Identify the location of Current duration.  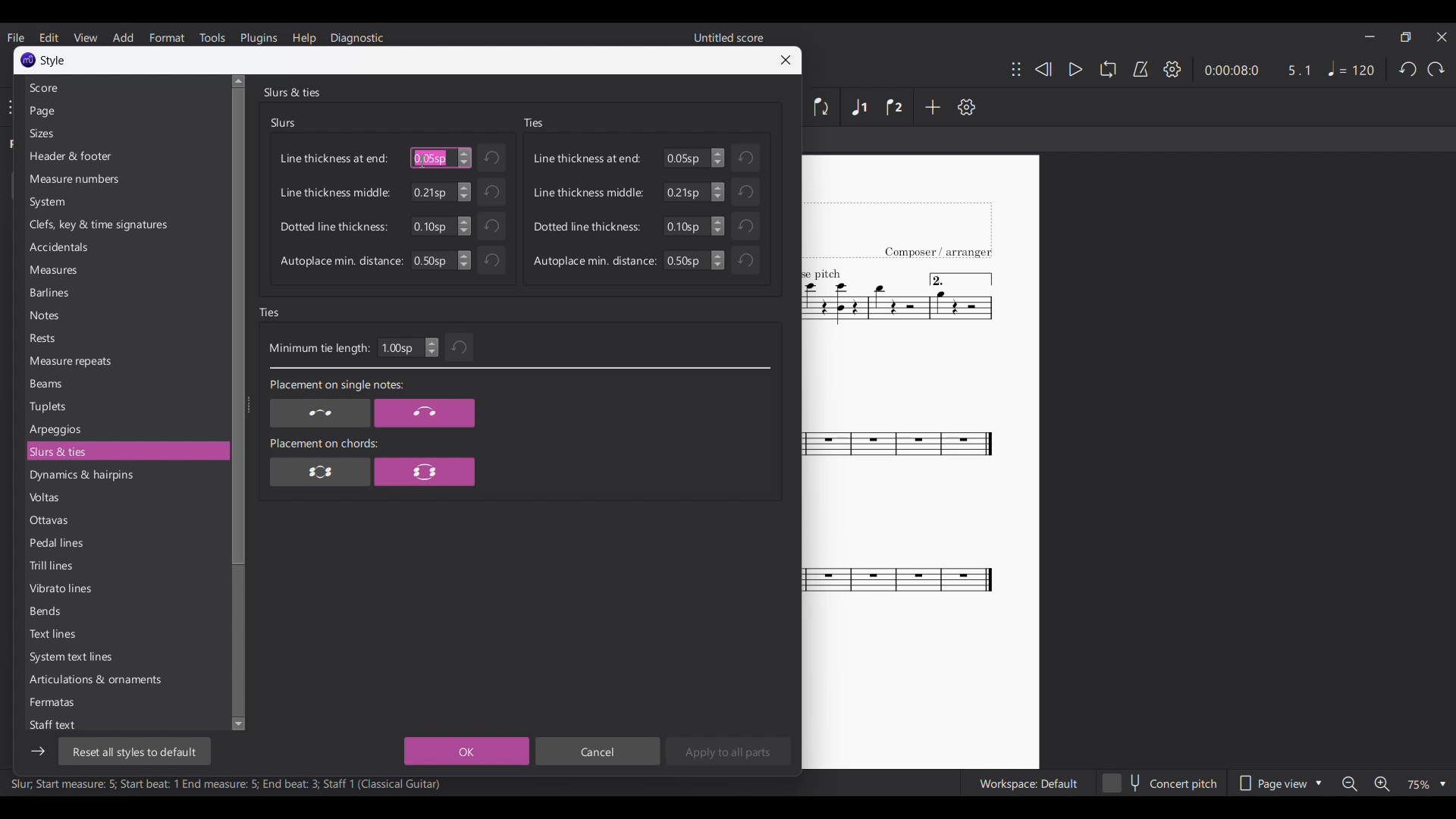
(1229, 70).